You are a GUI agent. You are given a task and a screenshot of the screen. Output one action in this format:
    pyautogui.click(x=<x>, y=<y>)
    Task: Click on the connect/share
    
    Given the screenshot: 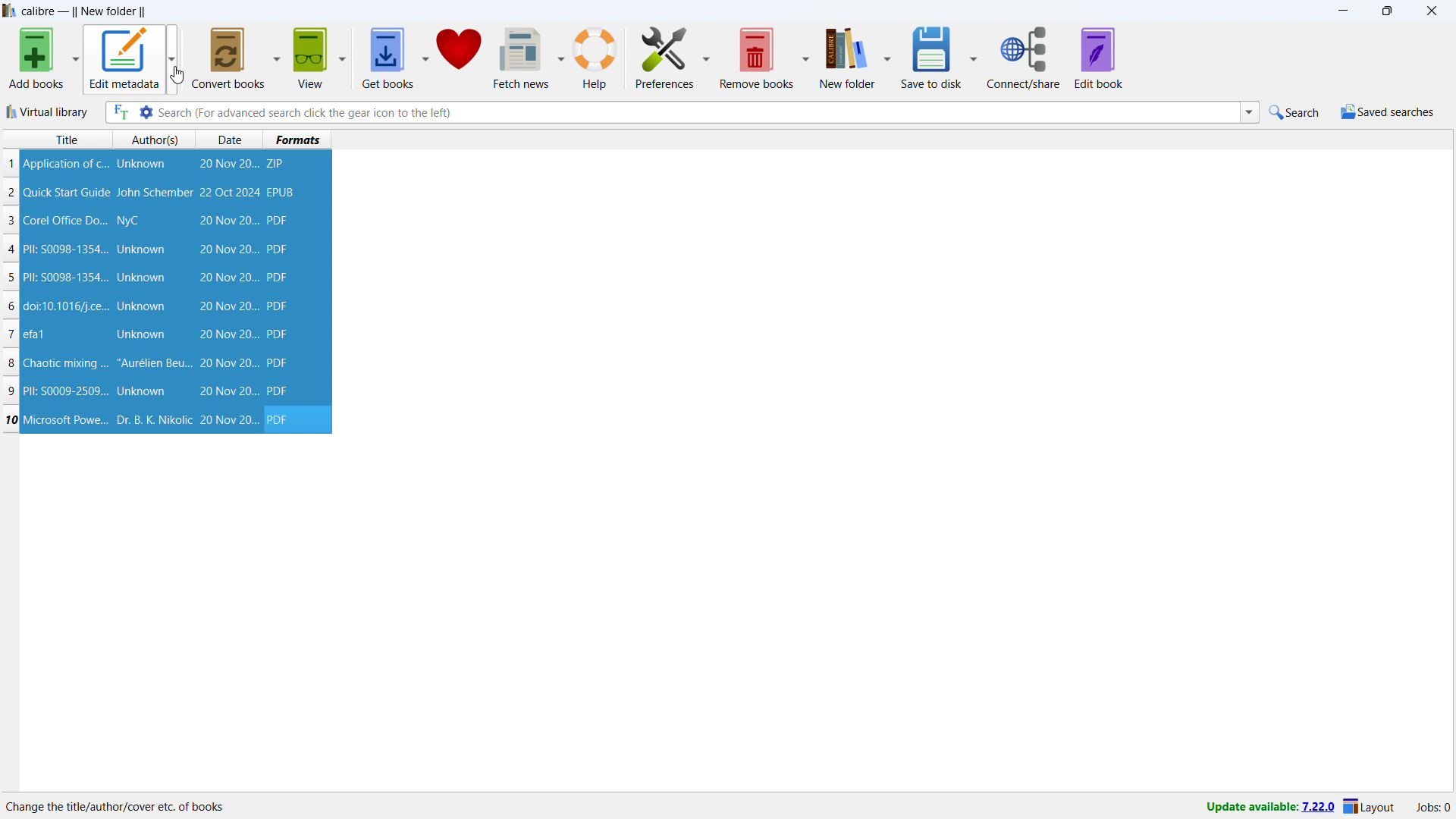 What is the action you would take?
    pyautogui.click(x=1024, y=57)
    